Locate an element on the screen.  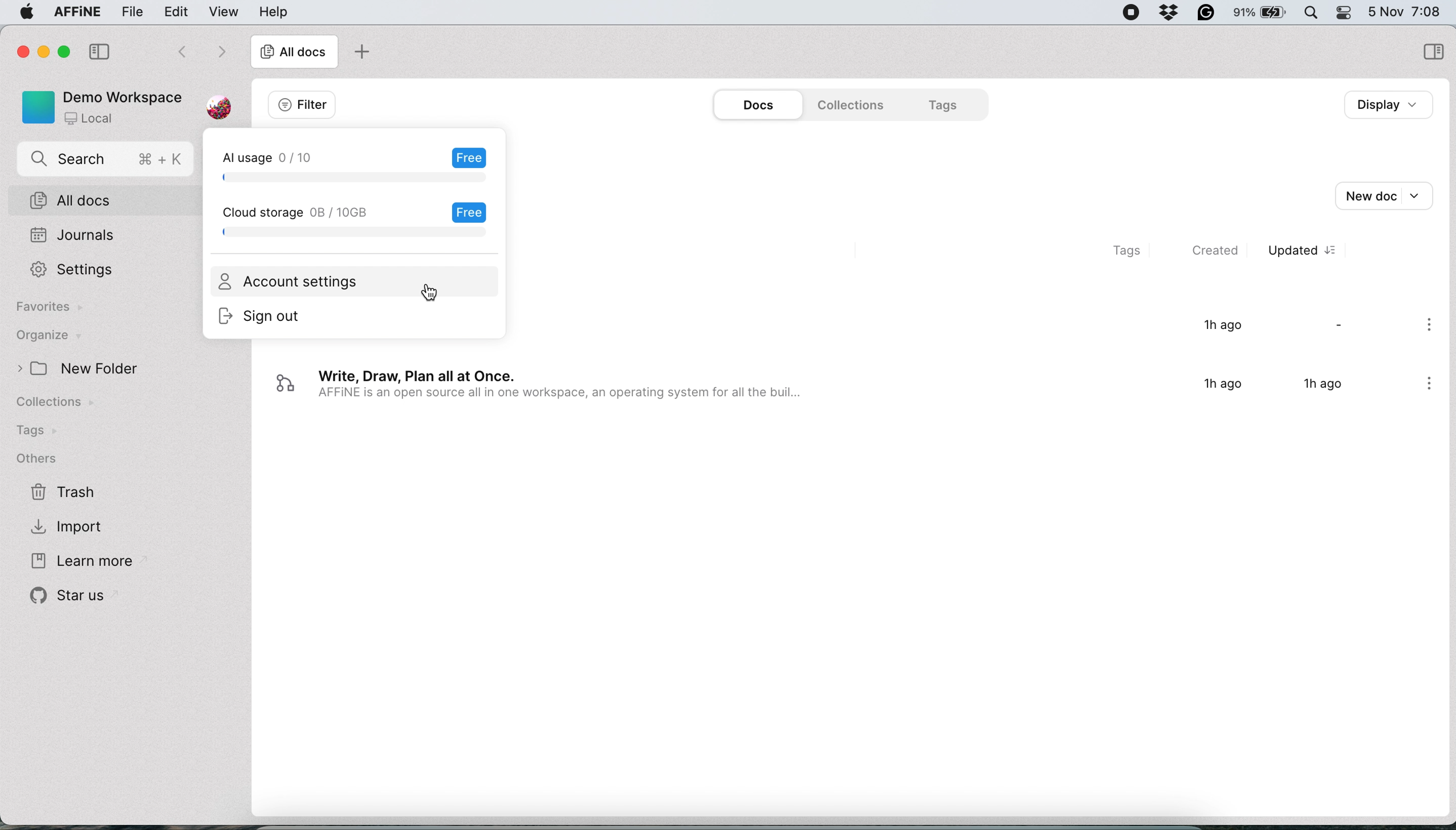
view is located at coordinates (224, 13).